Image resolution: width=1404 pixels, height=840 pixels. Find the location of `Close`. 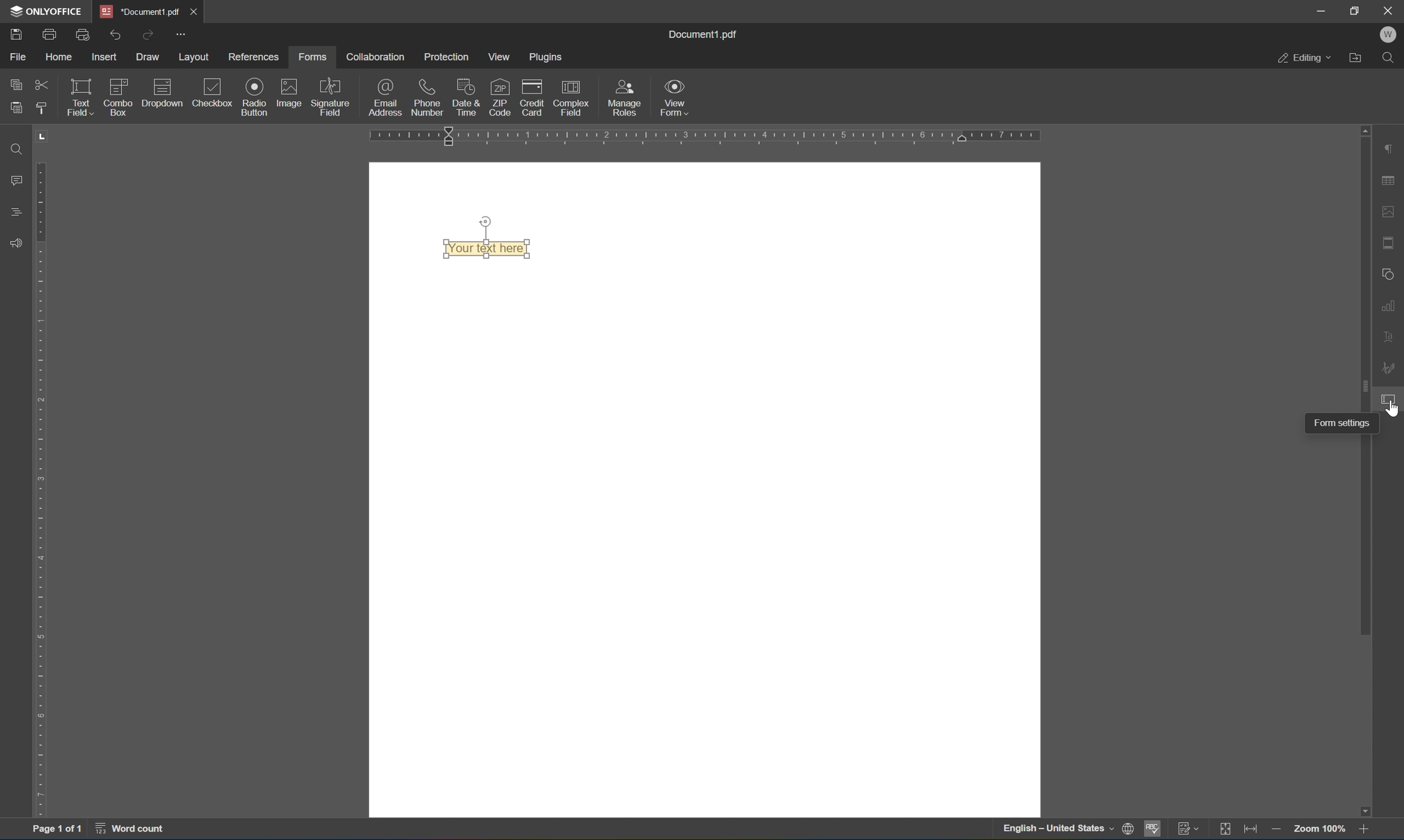

Close is located at coordinates (194, 11).